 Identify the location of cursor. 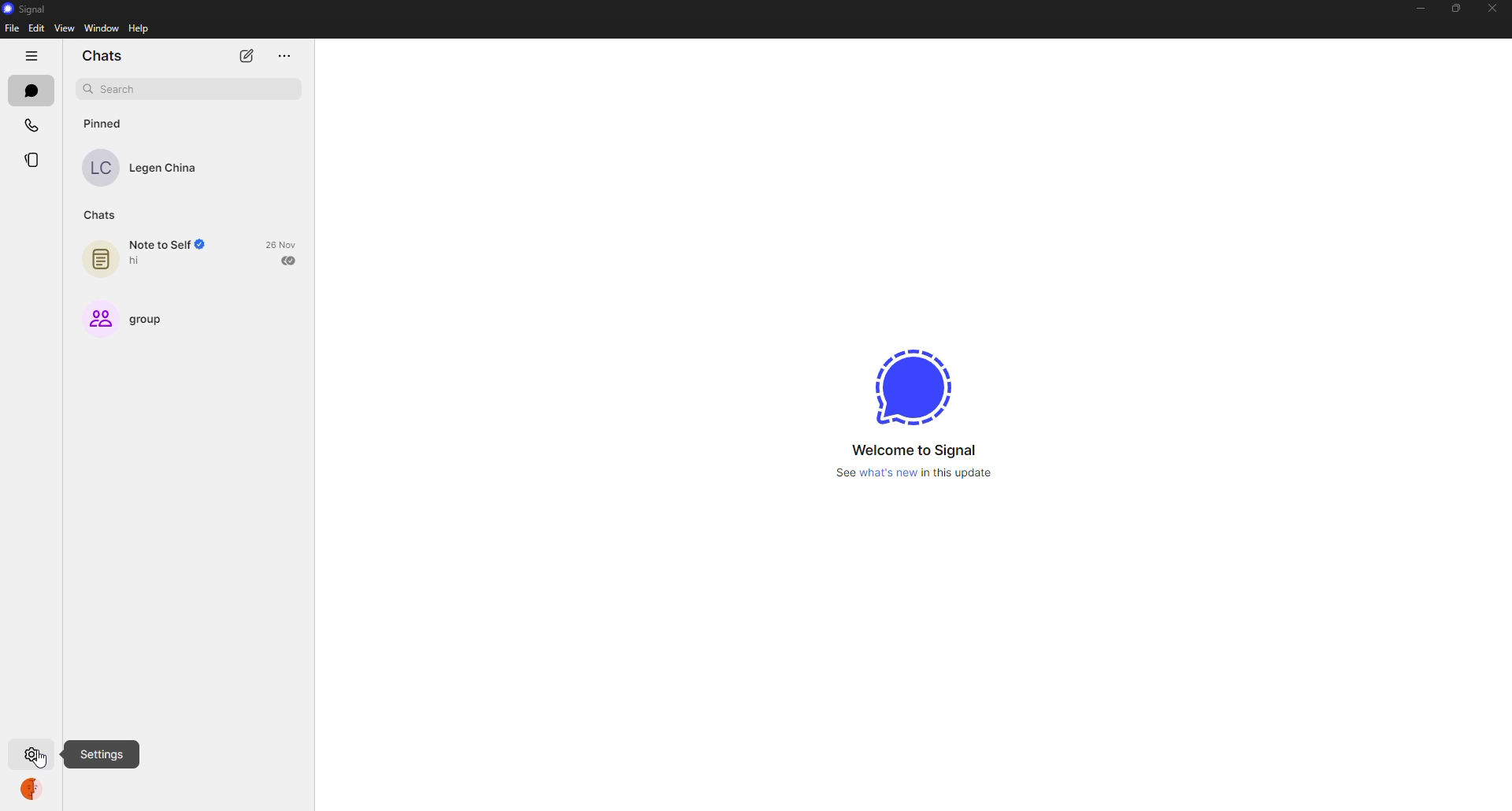
(43, 758).